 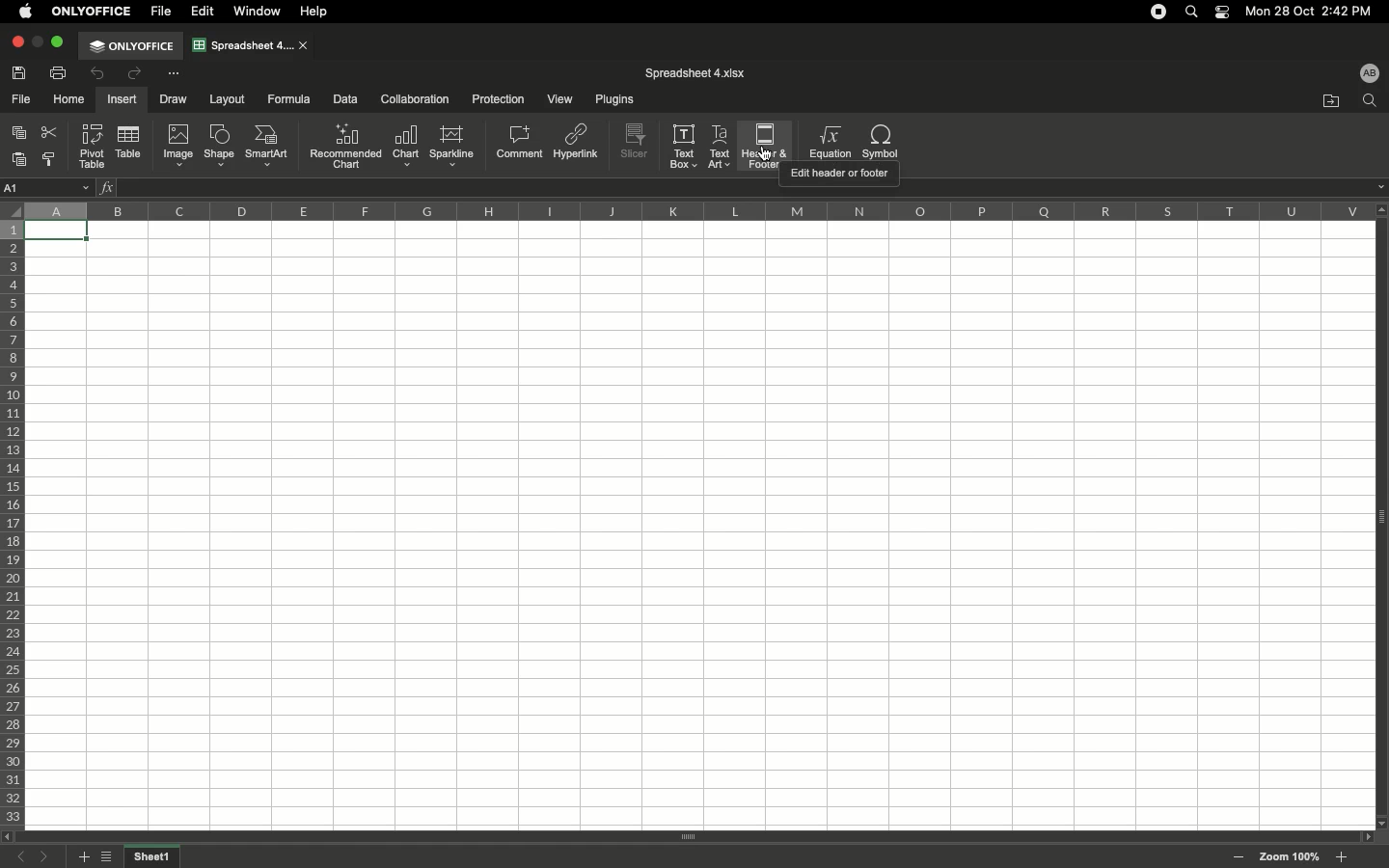 What do you see at coordinates (416, 100) in the screenshot?
I see `Collaboration` at bounding box center [416, 100].